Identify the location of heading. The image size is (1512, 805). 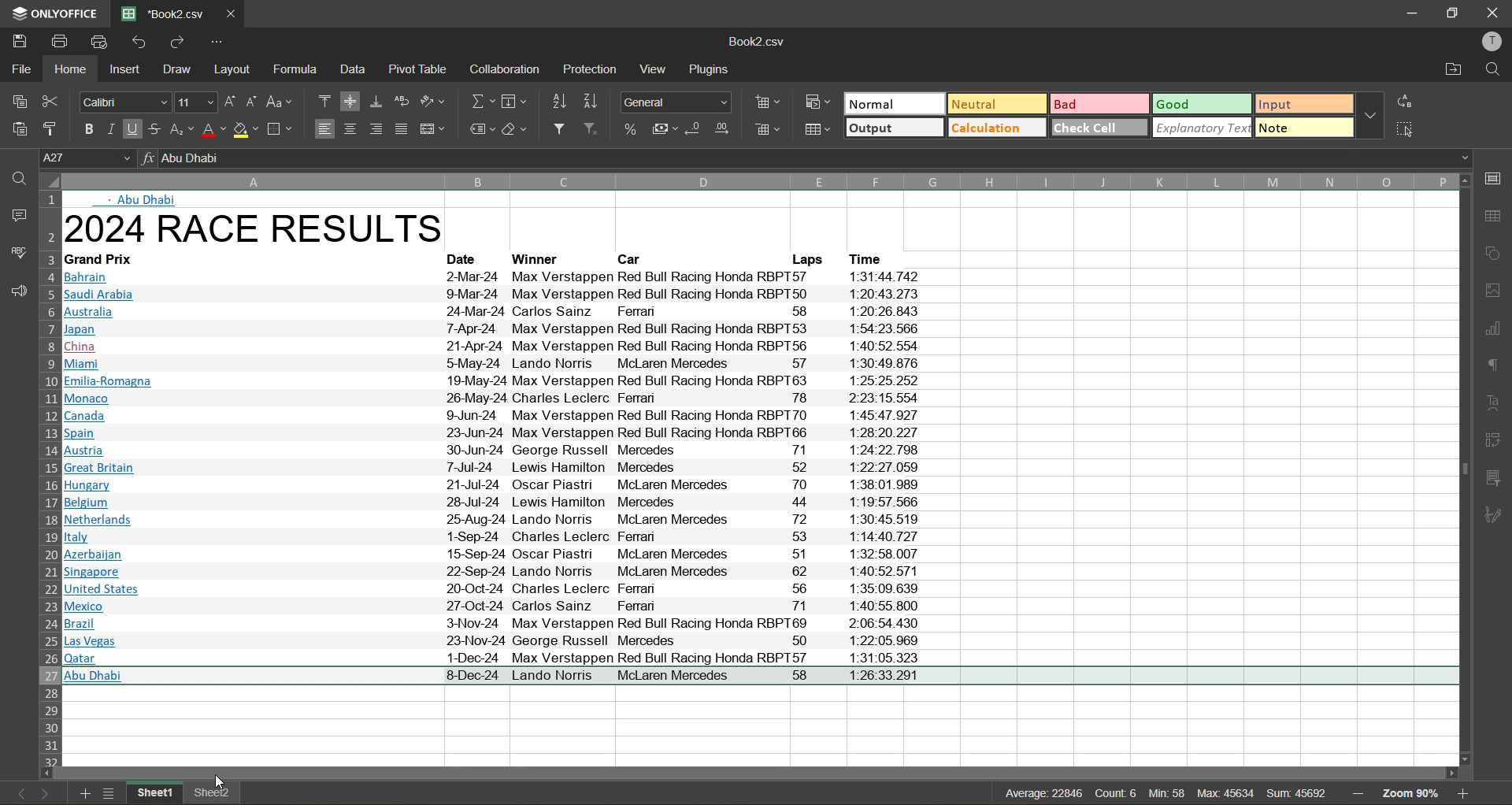
(263, 230).